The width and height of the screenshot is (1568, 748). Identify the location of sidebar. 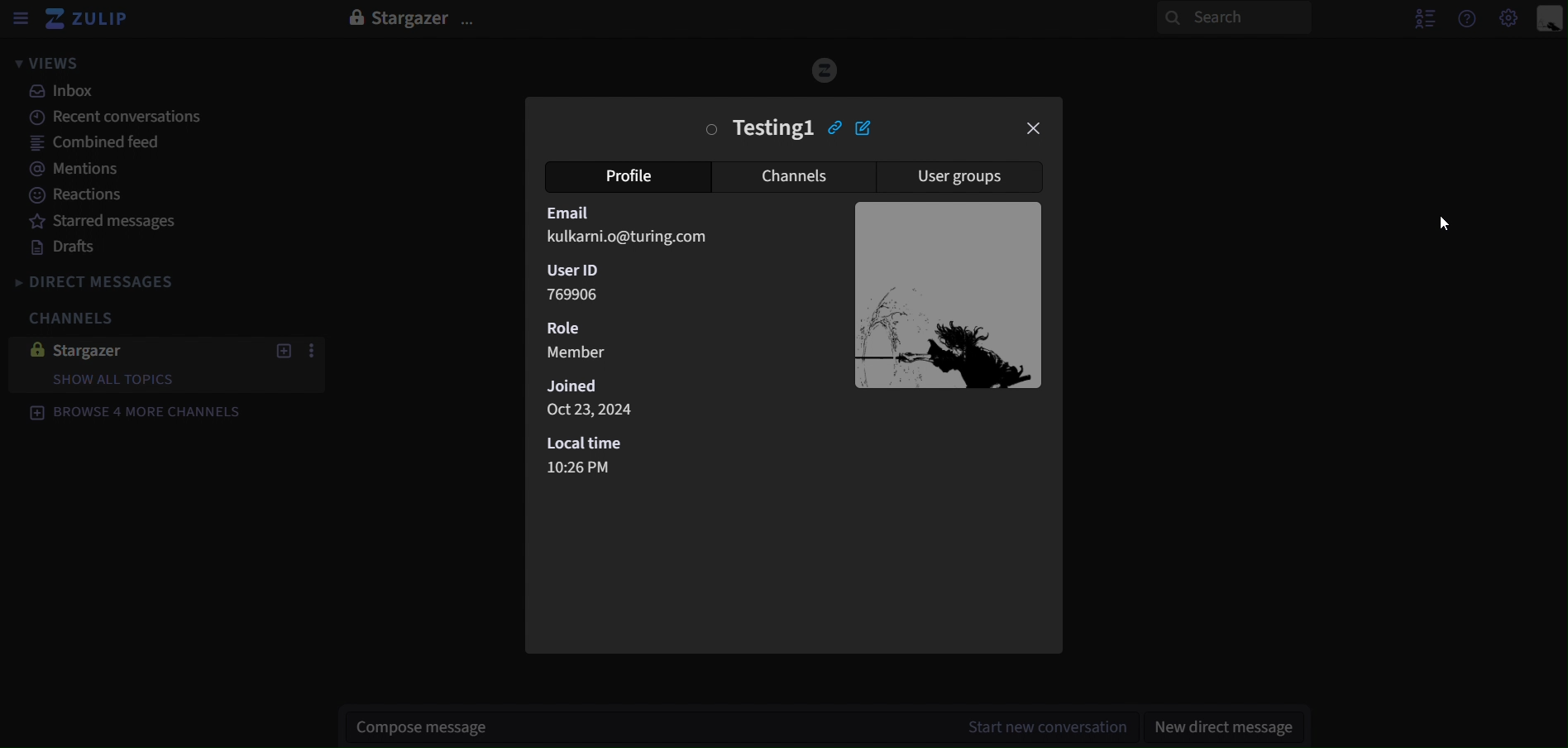
(22, 19).